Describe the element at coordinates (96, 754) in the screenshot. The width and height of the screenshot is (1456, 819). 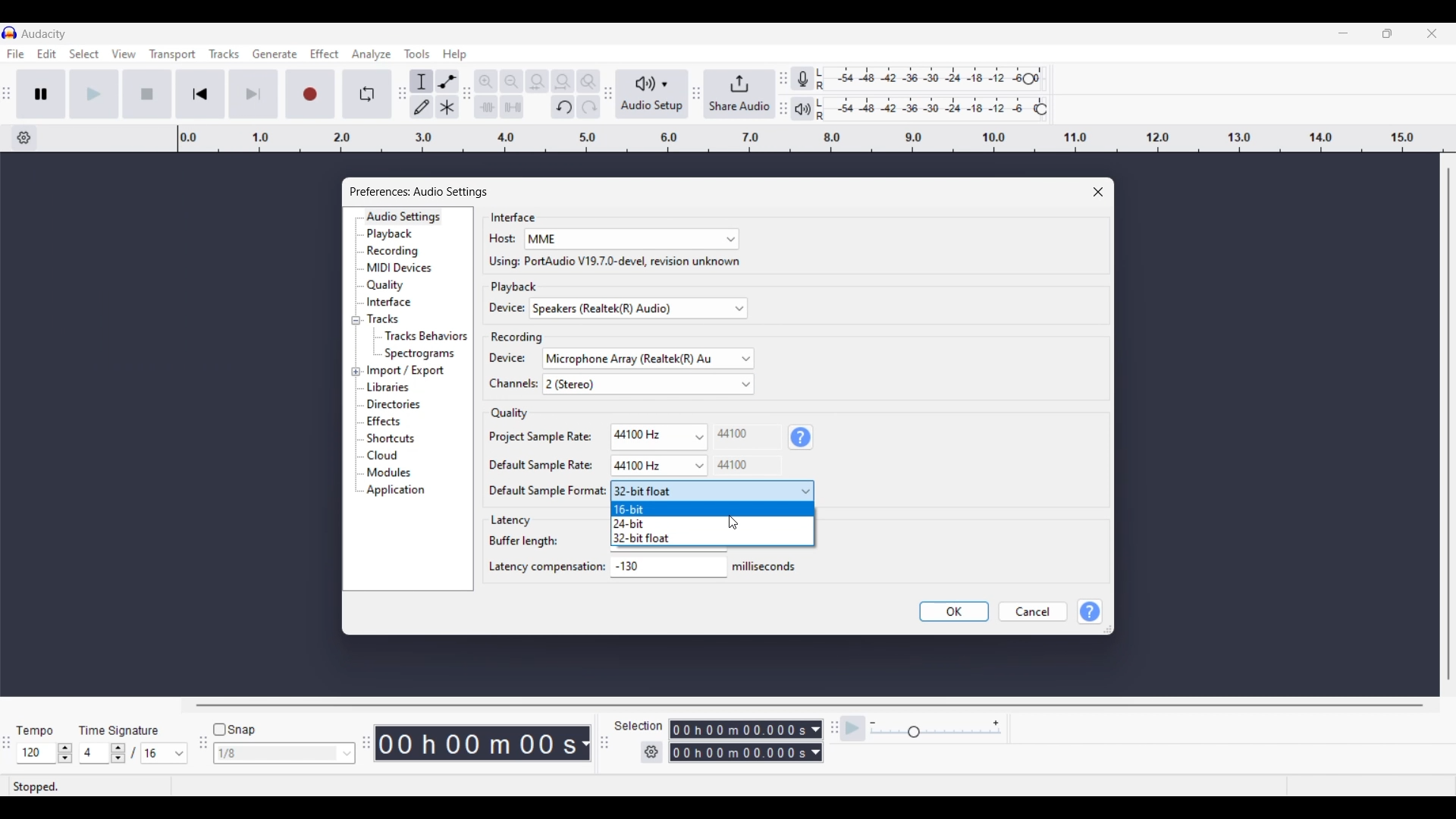
I see `Selected time signature` at that location.